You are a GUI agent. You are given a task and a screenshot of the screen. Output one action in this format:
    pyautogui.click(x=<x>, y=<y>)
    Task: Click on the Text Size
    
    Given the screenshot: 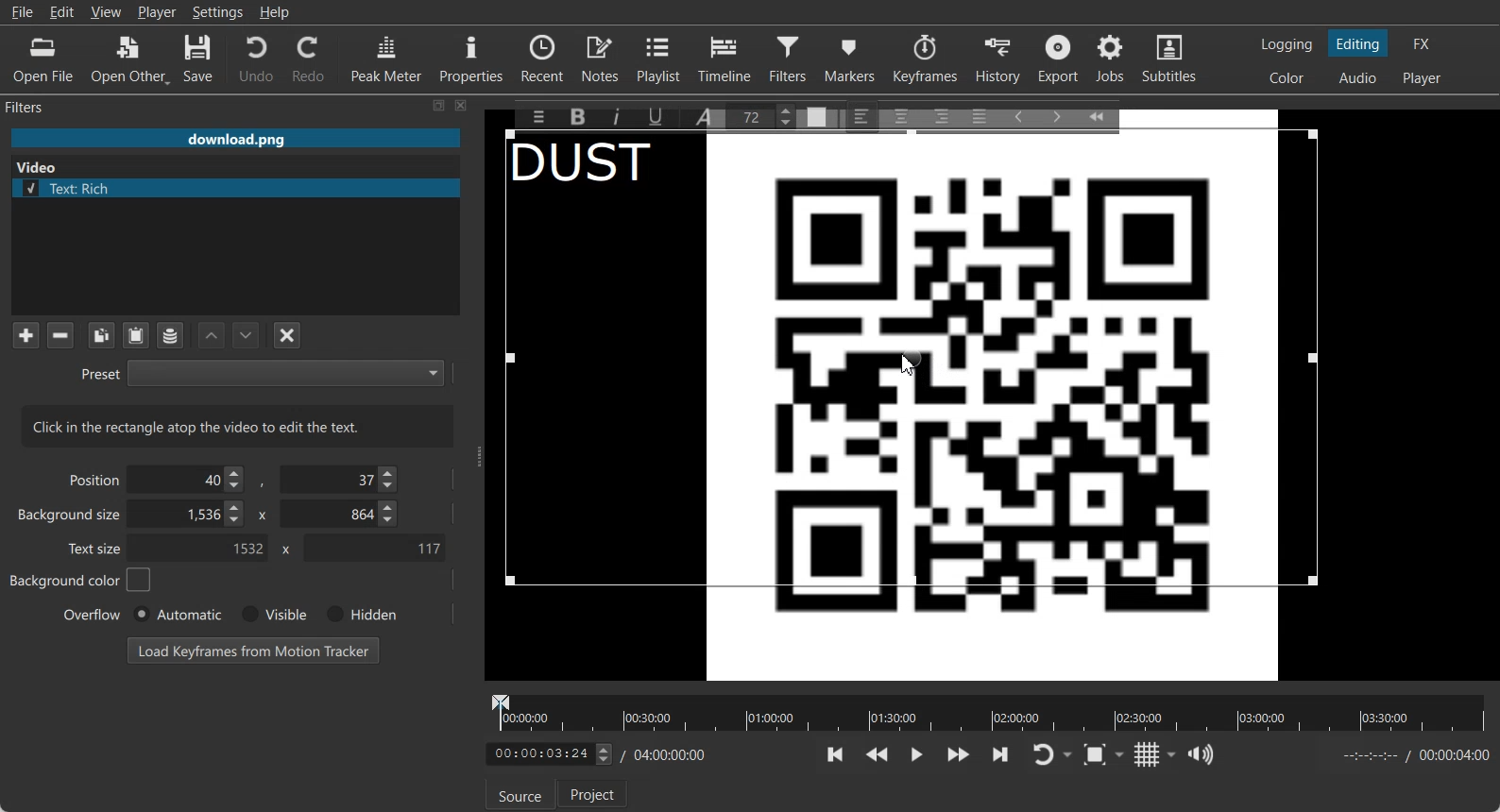 What is the action you would take?
    pyautogui.click(x=765, y=115)
    